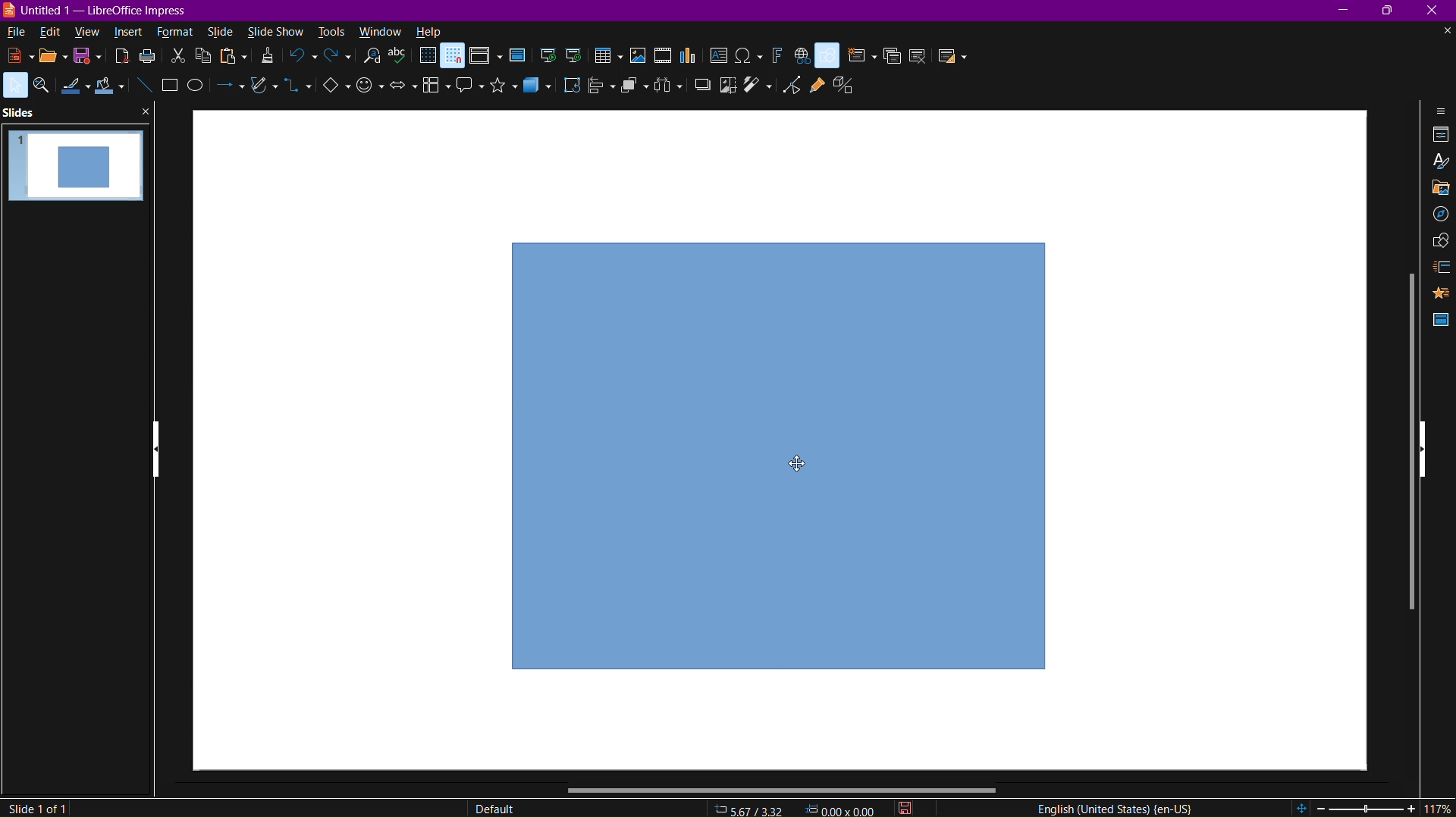 Image resolution: width=1456 pixels, height=817 pixels. I want to click on Show, so click(157, 451).